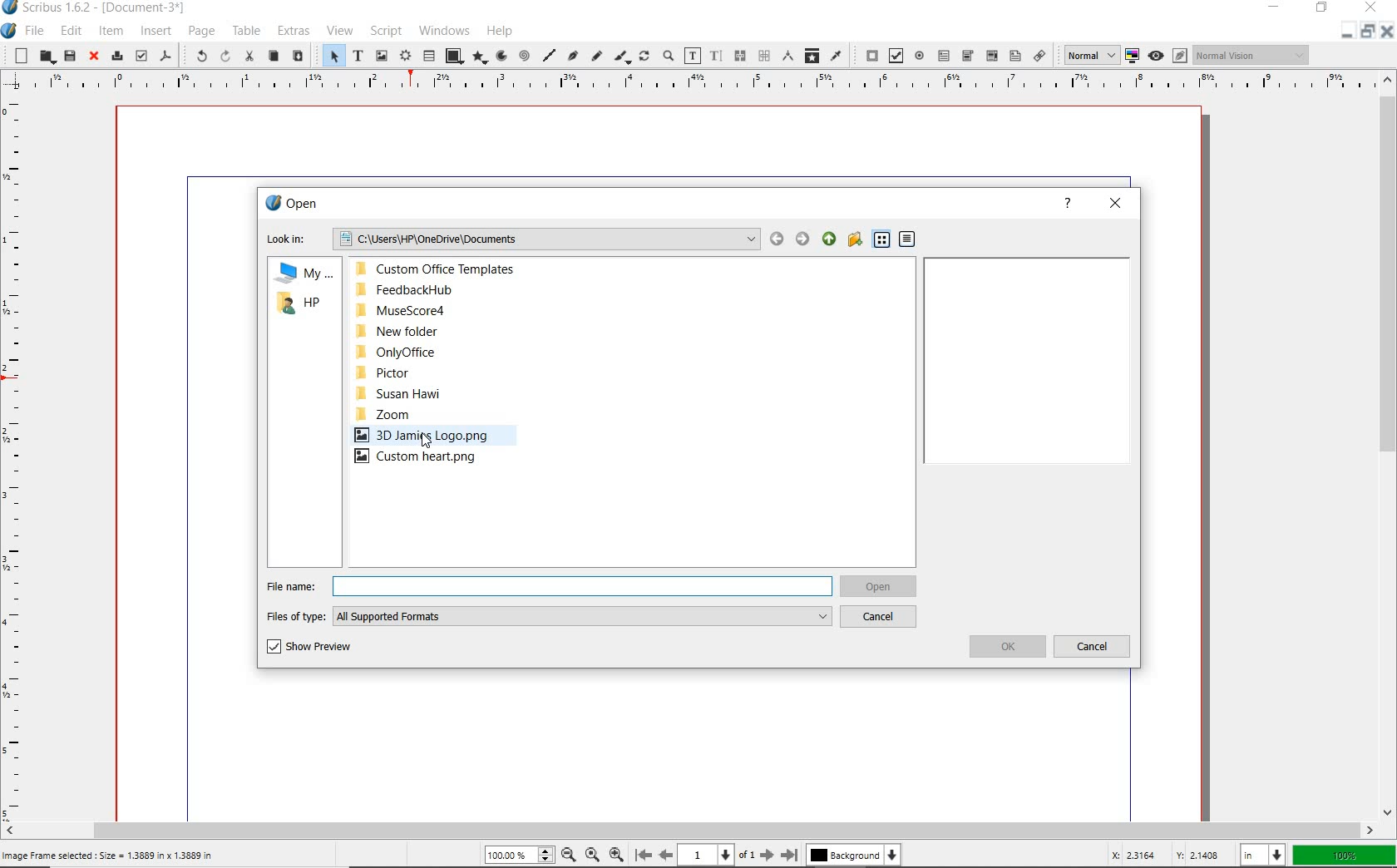 The width and height of the screenshot is (1397, 868). I want to click on background, so click(852, 856).